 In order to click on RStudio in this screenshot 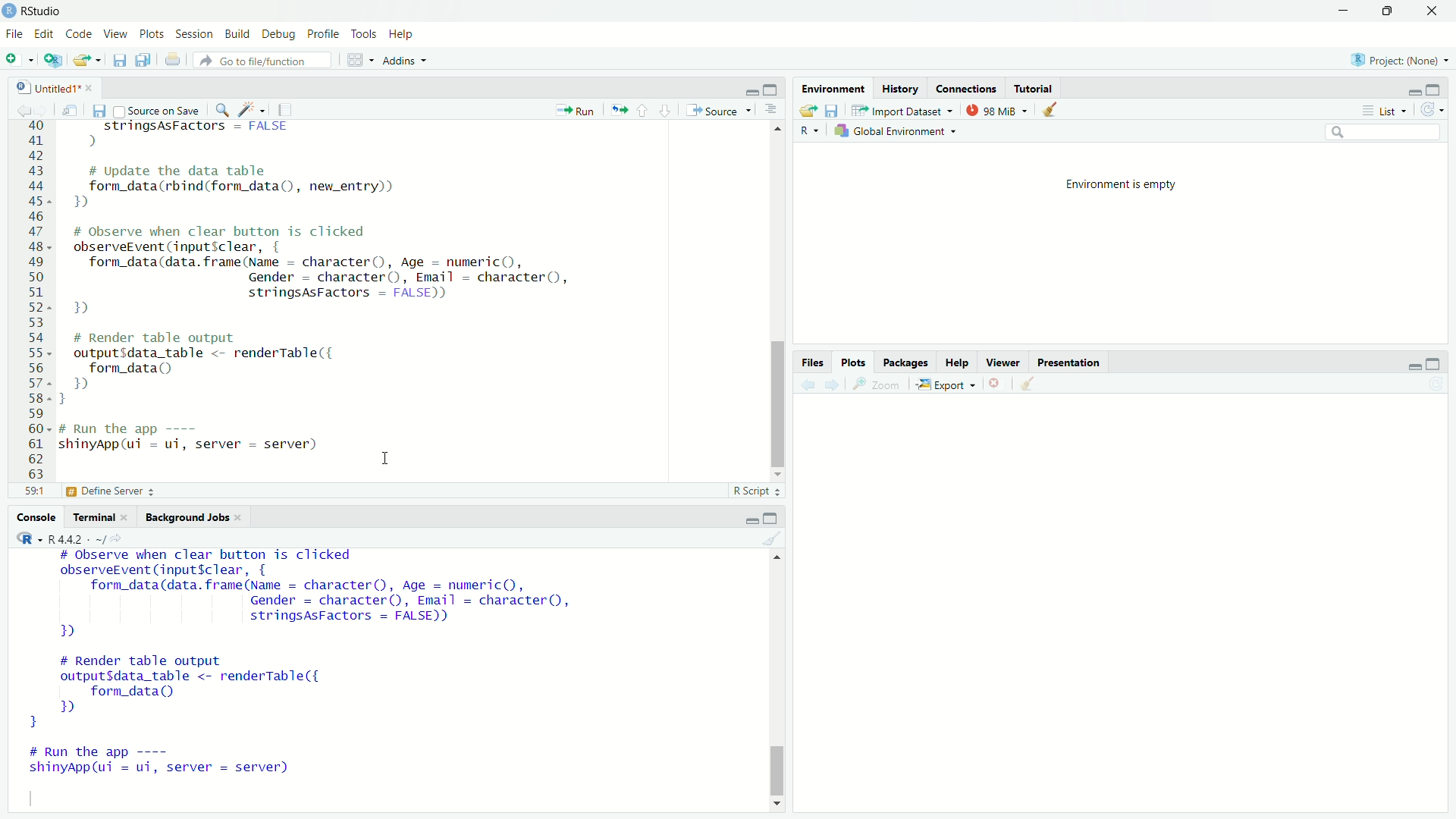, I will do `click(45, 9)`.